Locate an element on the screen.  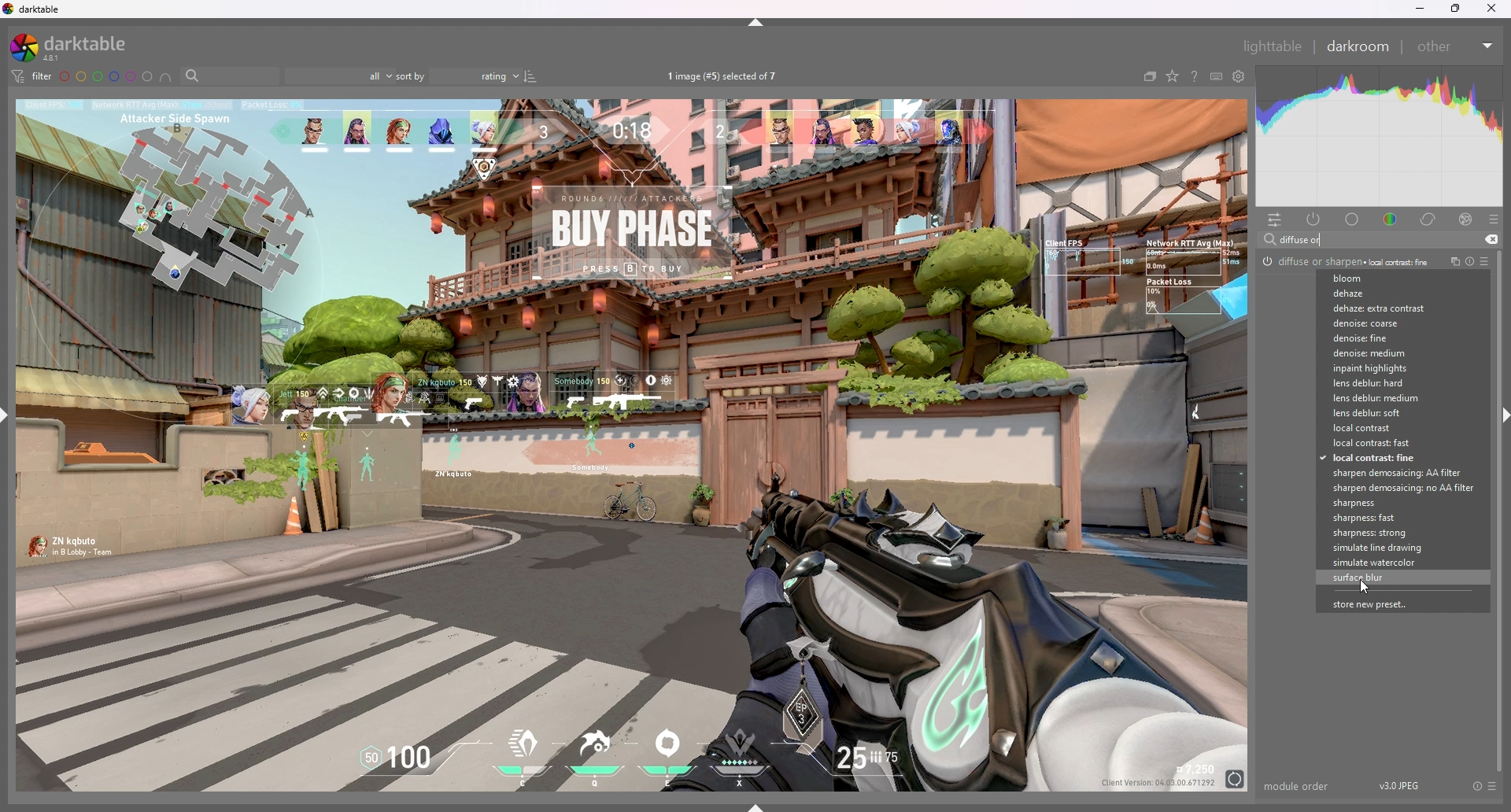
module order is located at coordinates (1299, 786).